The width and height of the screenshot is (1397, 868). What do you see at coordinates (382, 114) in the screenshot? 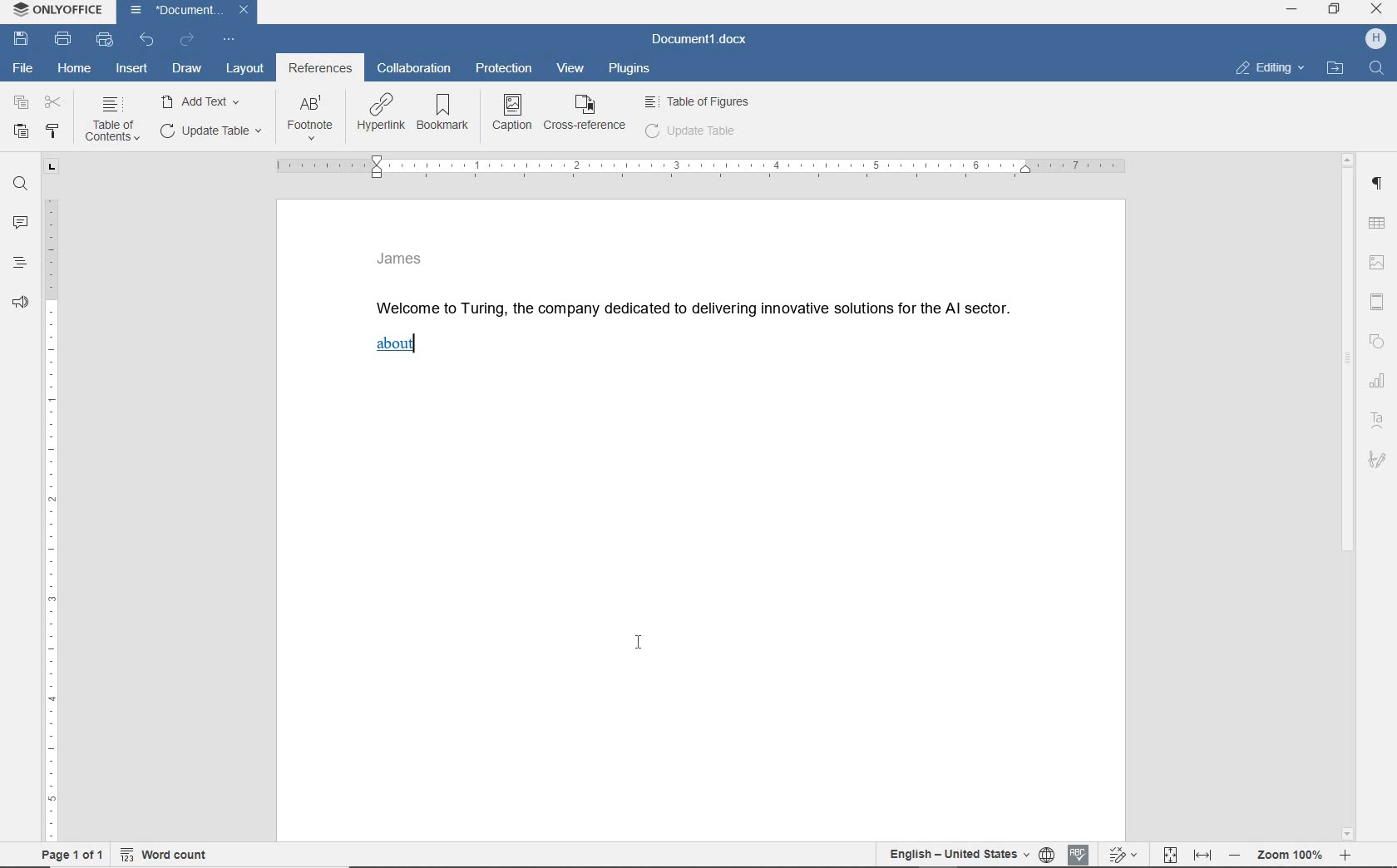
I see `HYPERLINK` at bounding box center [382, 114].